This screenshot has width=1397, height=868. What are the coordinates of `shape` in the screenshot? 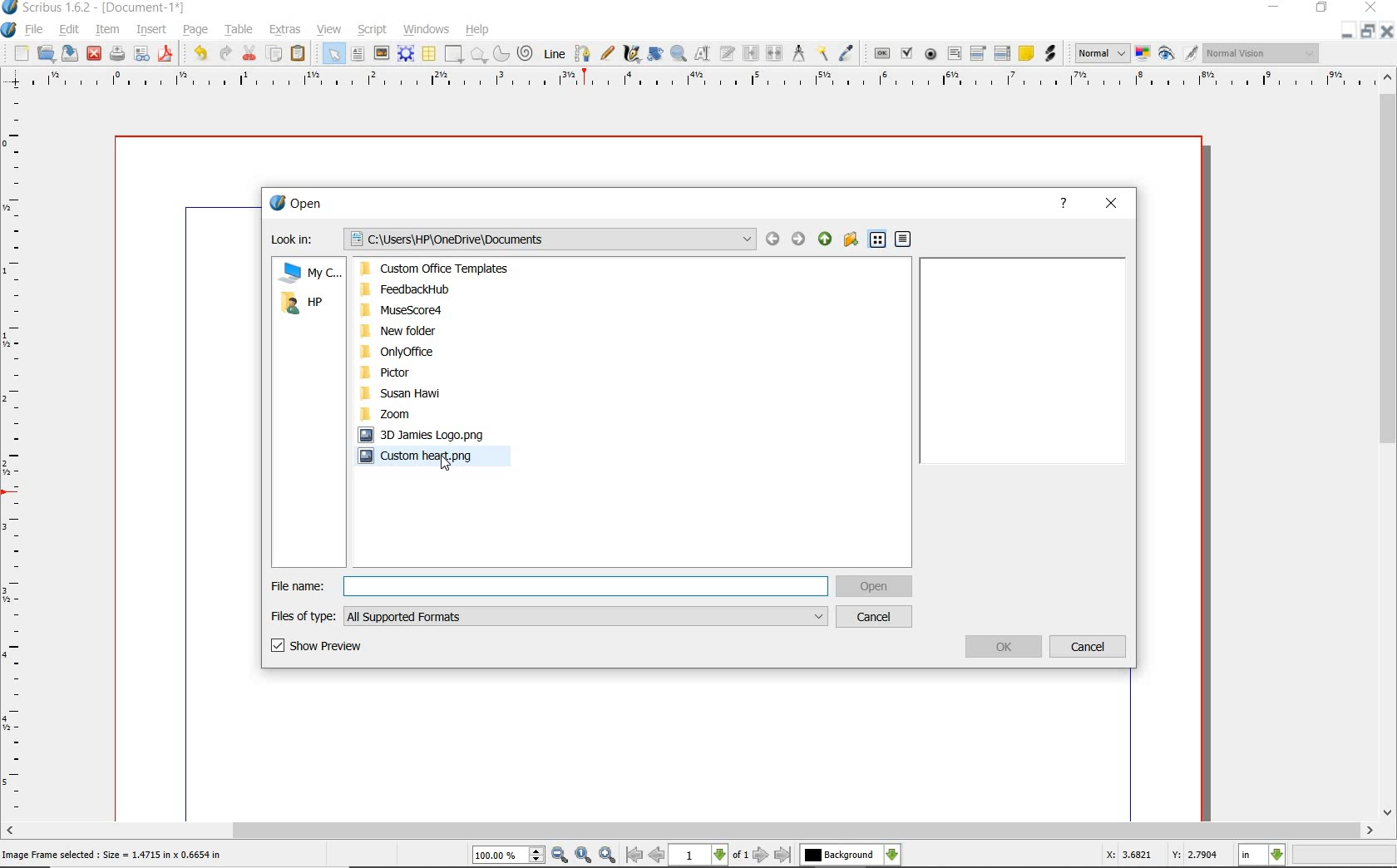 It's located at (452, 55).